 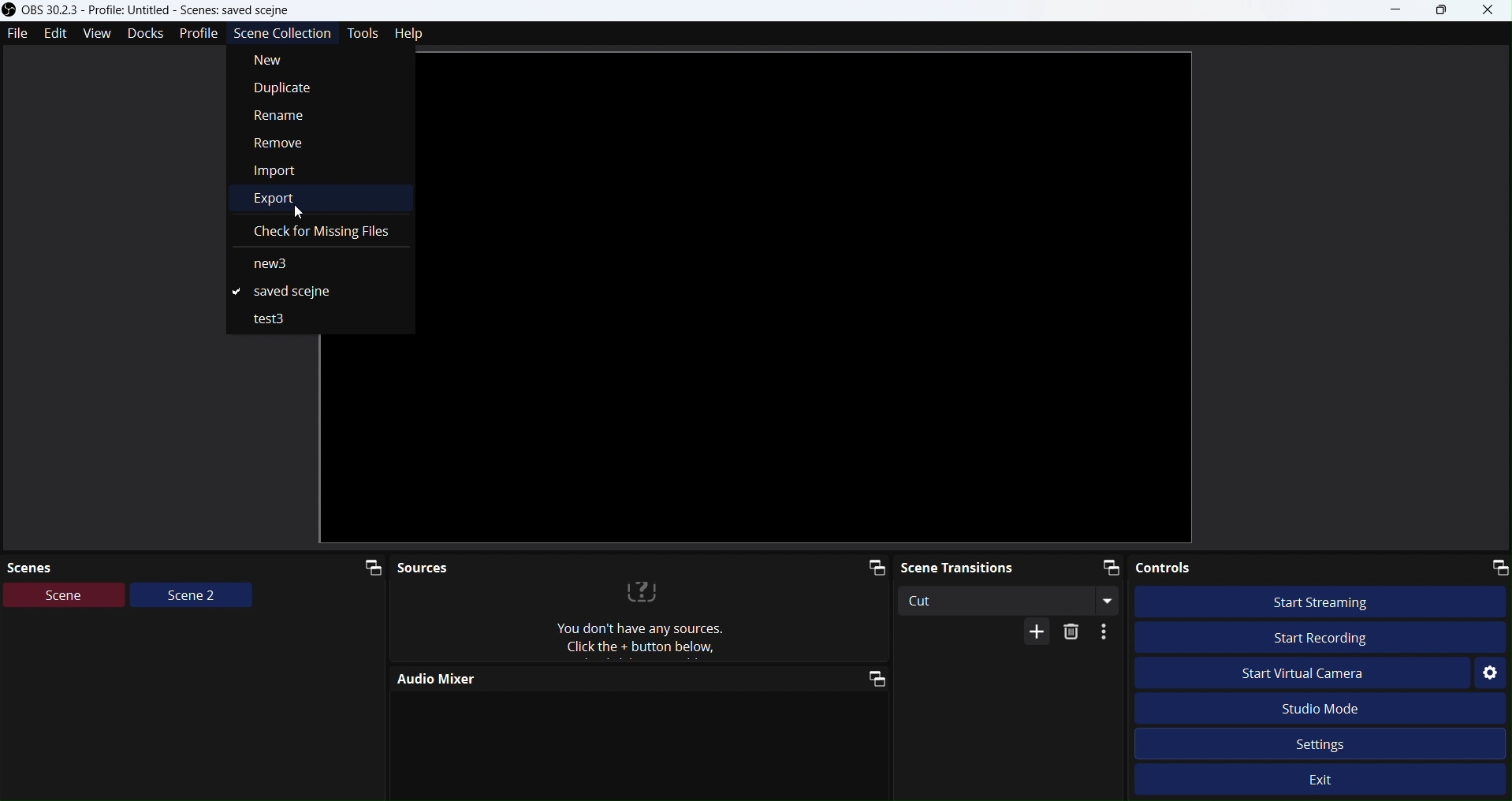 What do you see at coordinates (1395, 9) in the screenshot?
I see `minimize` at bounding box center [1395, 9].